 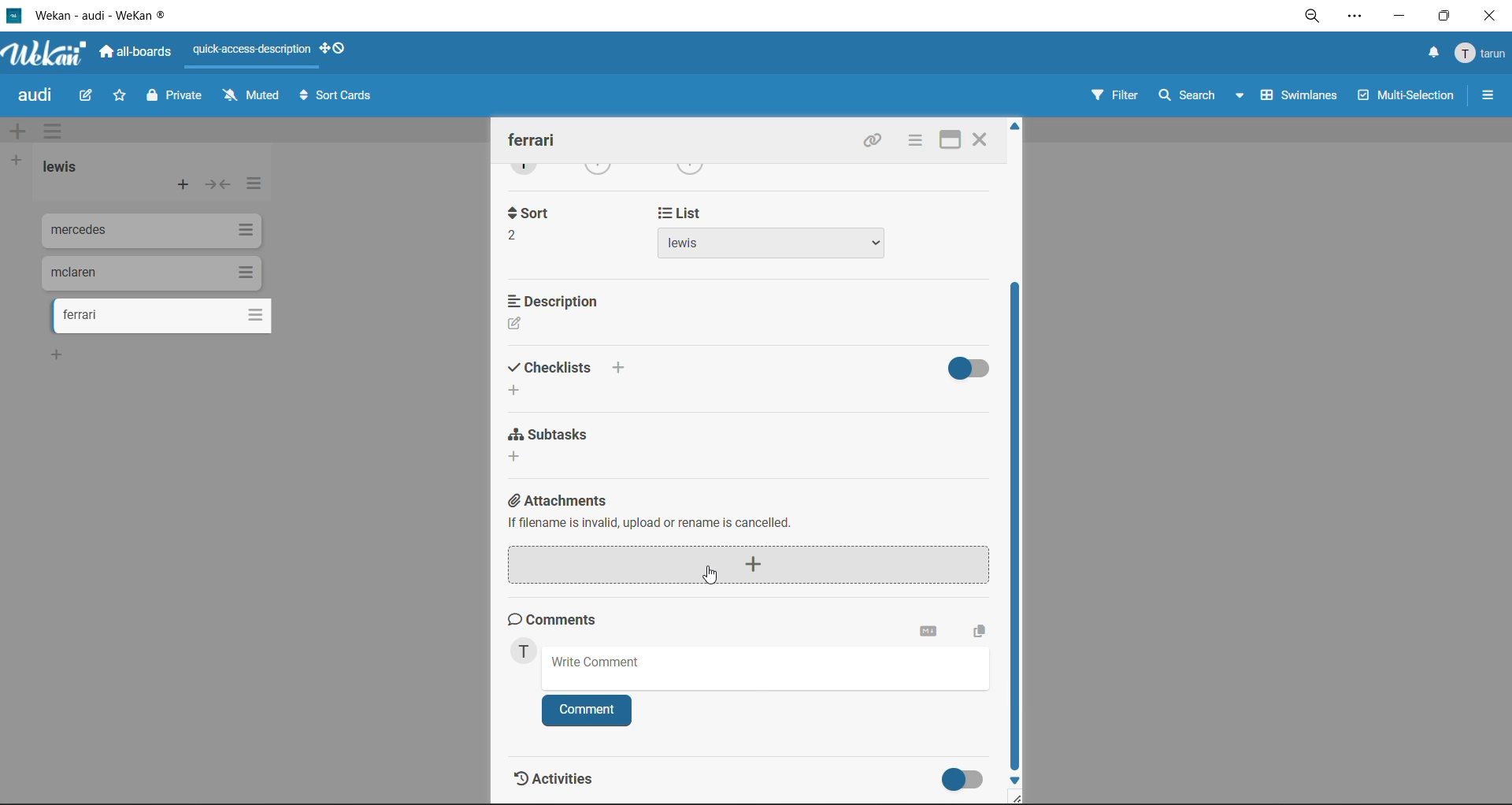 What do you see at coordinates (1398, 17) in the screenshot?
I see `minimize` at bounding box center [1398, 17].